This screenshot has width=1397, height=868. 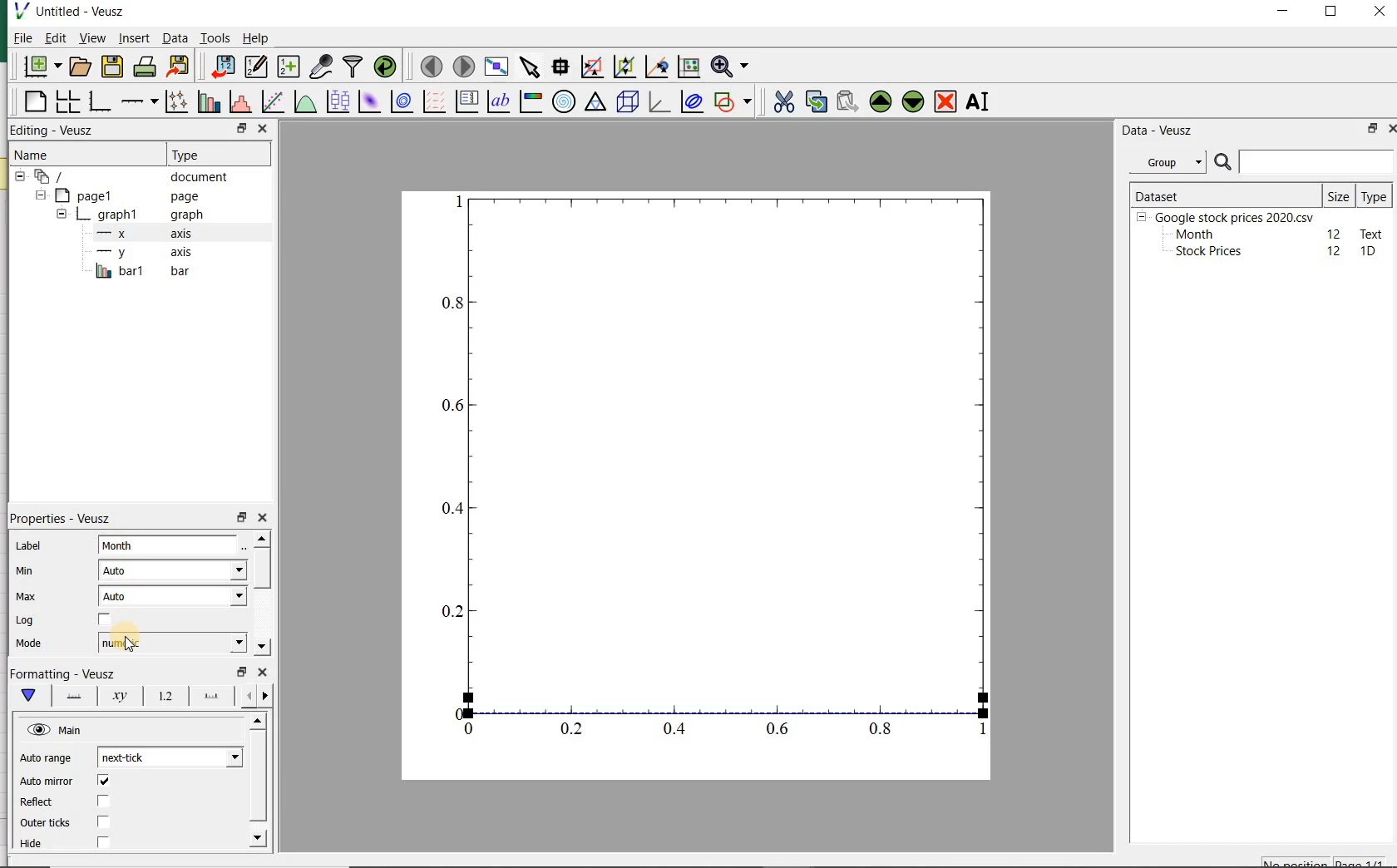 What do you see at coordinates (353, 66) in the screenshot?
I see `filter data` at bounding box center [353, 66].